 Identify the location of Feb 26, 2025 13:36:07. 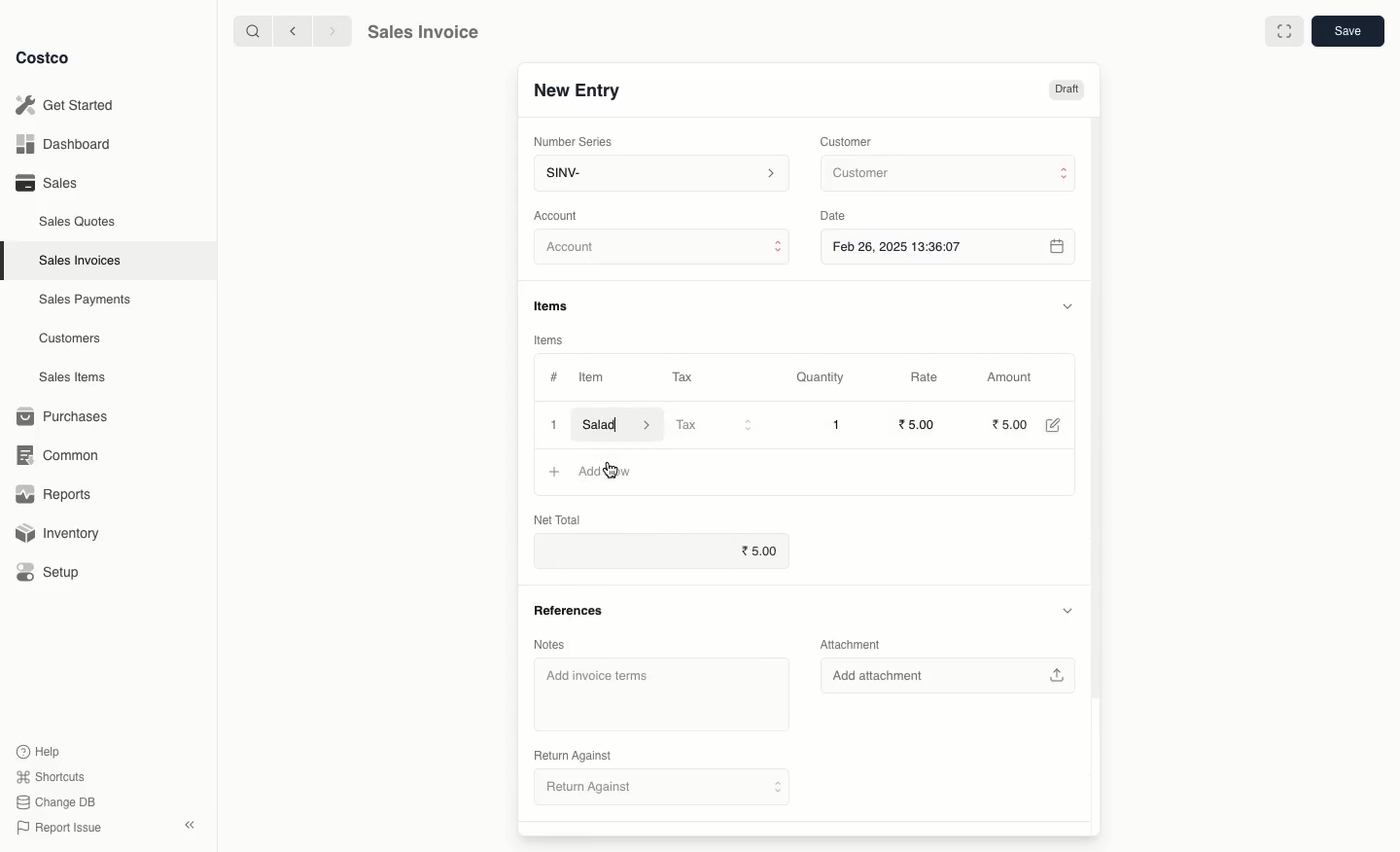
(950, 246).